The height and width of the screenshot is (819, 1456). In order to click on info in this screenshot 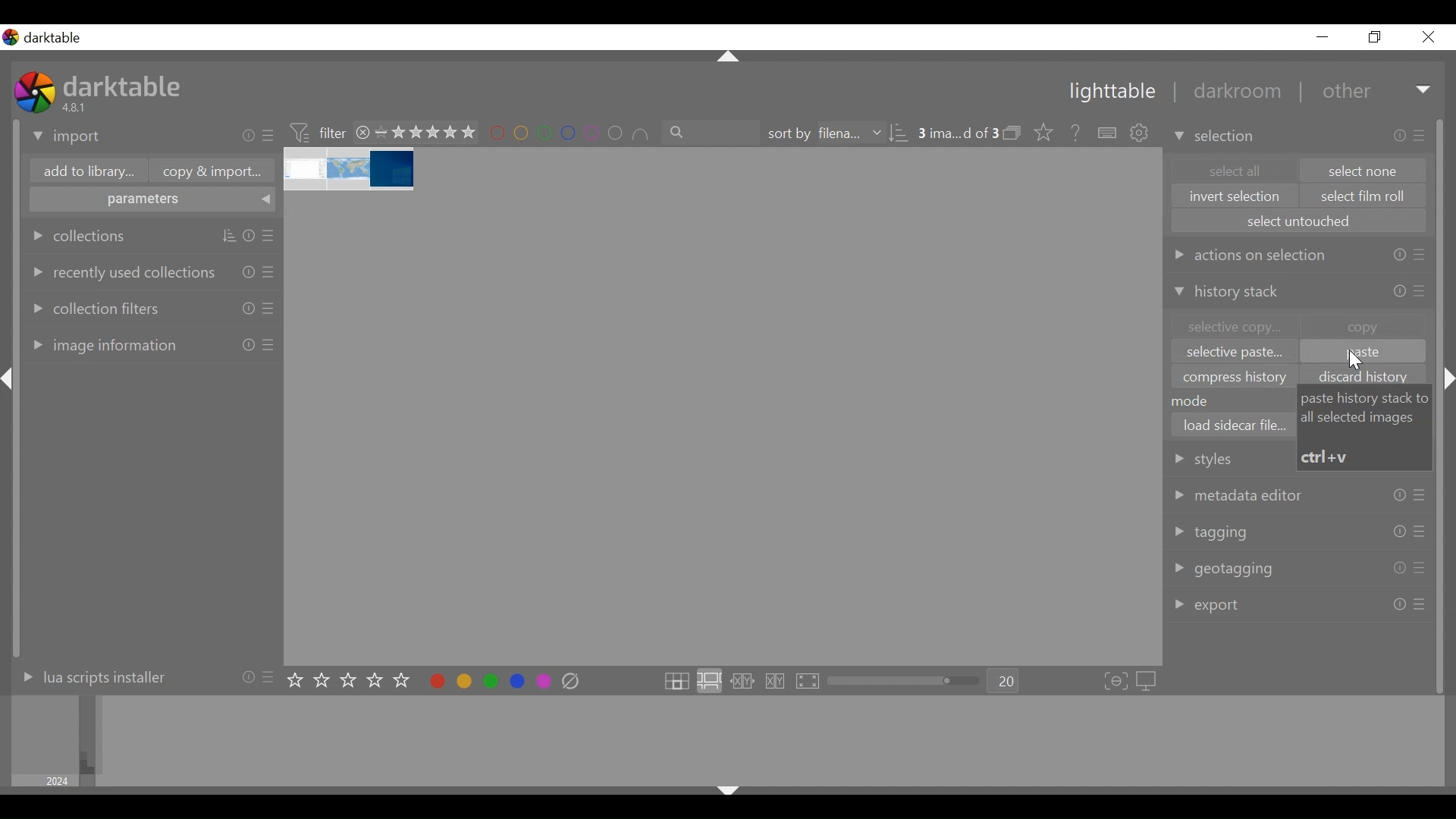, I will do `click(249, 271)`.